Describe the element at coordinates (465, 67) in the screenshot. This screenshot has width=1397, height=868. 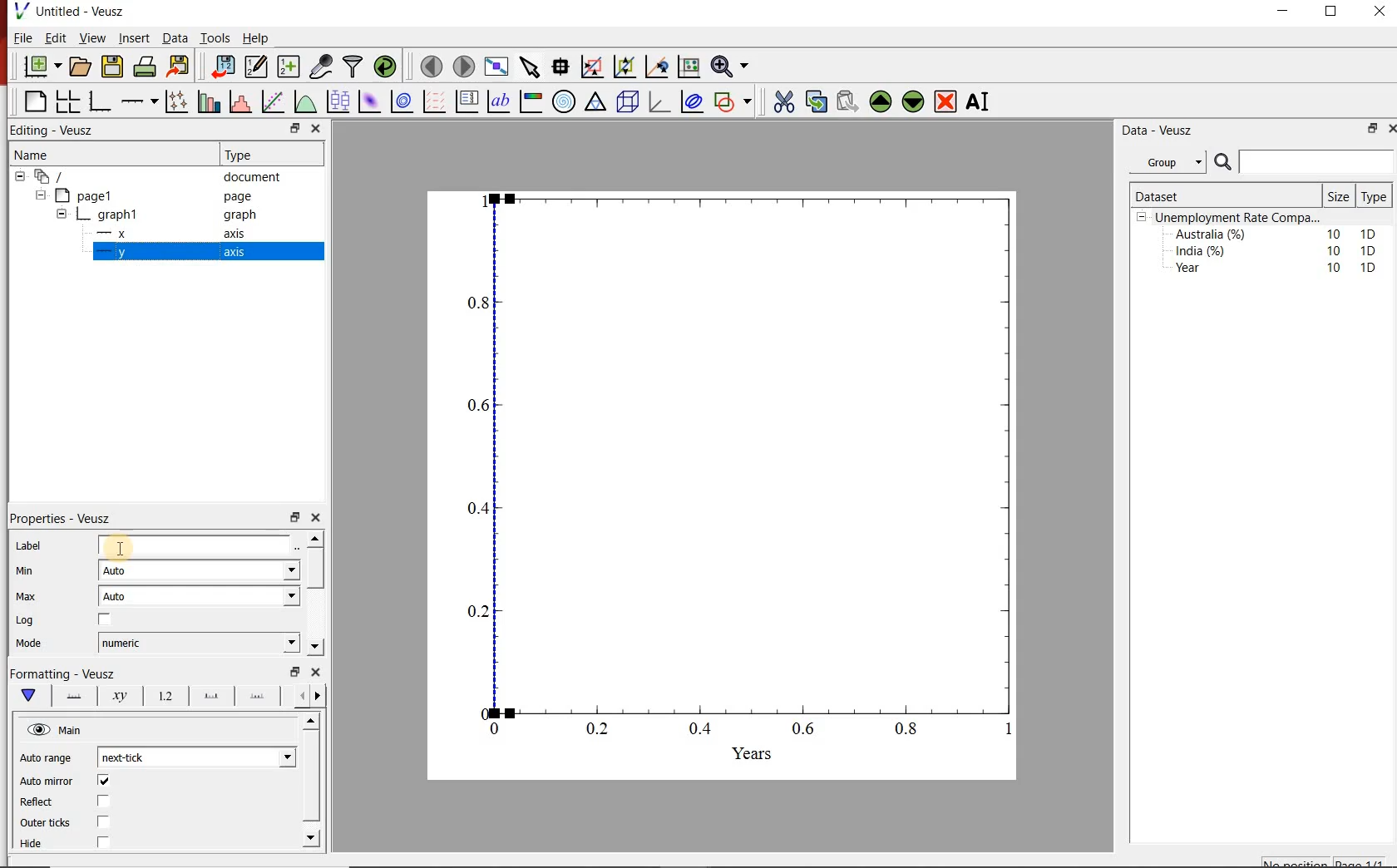
I see `move to next page` at that location.